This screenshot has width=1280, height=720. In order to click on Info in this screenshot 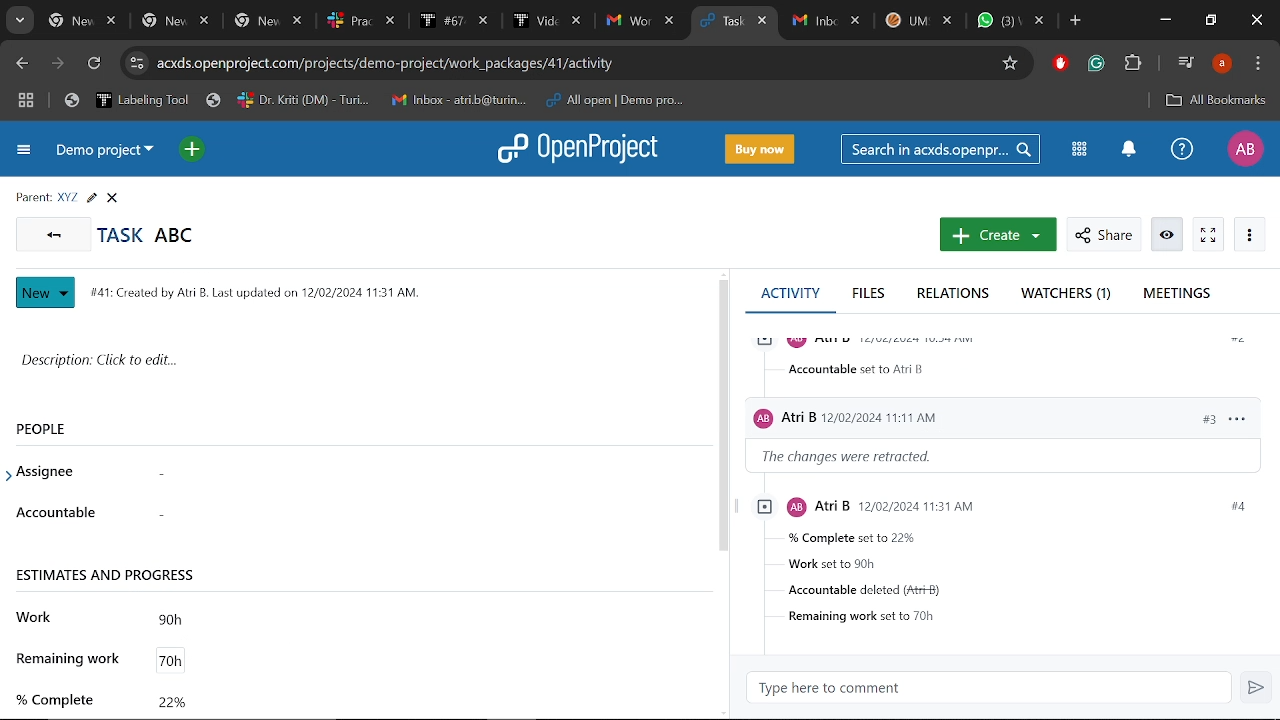, I will do `click(1168, 235)`.